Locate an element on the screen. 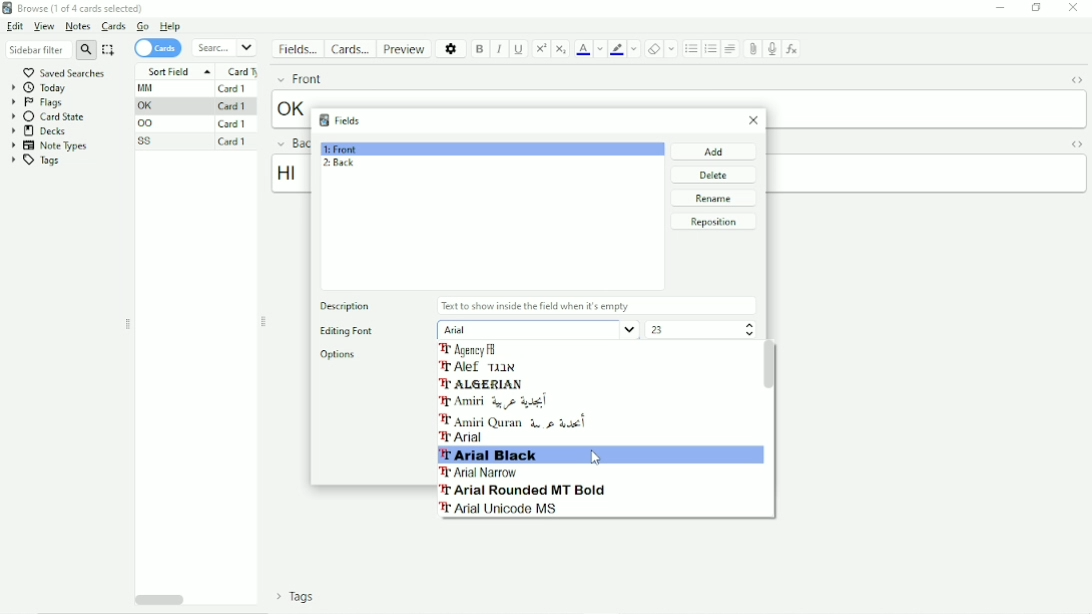  23 is located at coordinates (661, 332).